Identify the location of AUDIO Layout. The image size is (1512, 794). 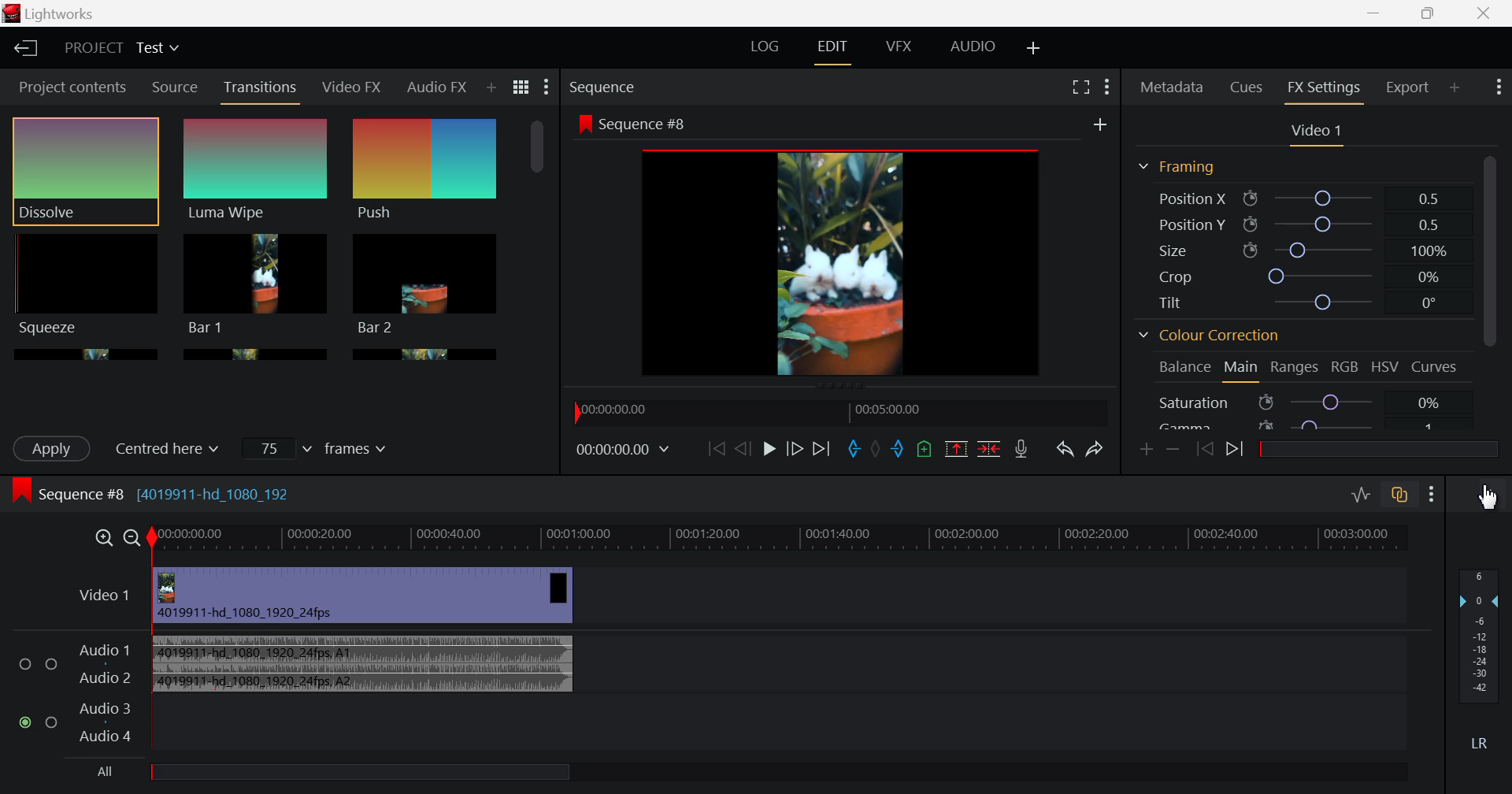
(976, 49).